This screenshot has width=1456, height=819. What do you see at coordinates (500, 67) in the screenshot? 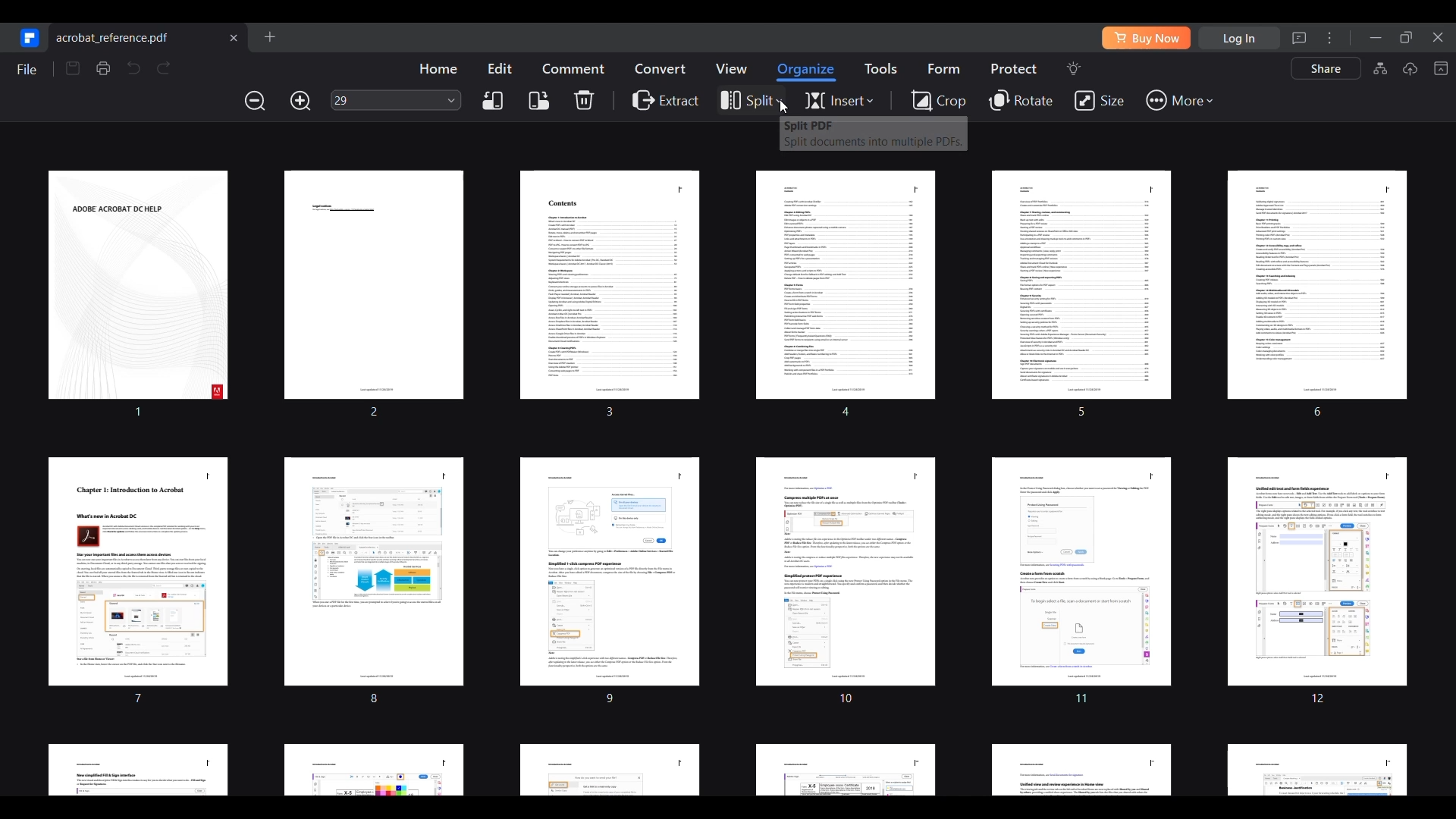
I see `Edit` at bounding box center [500, 67].